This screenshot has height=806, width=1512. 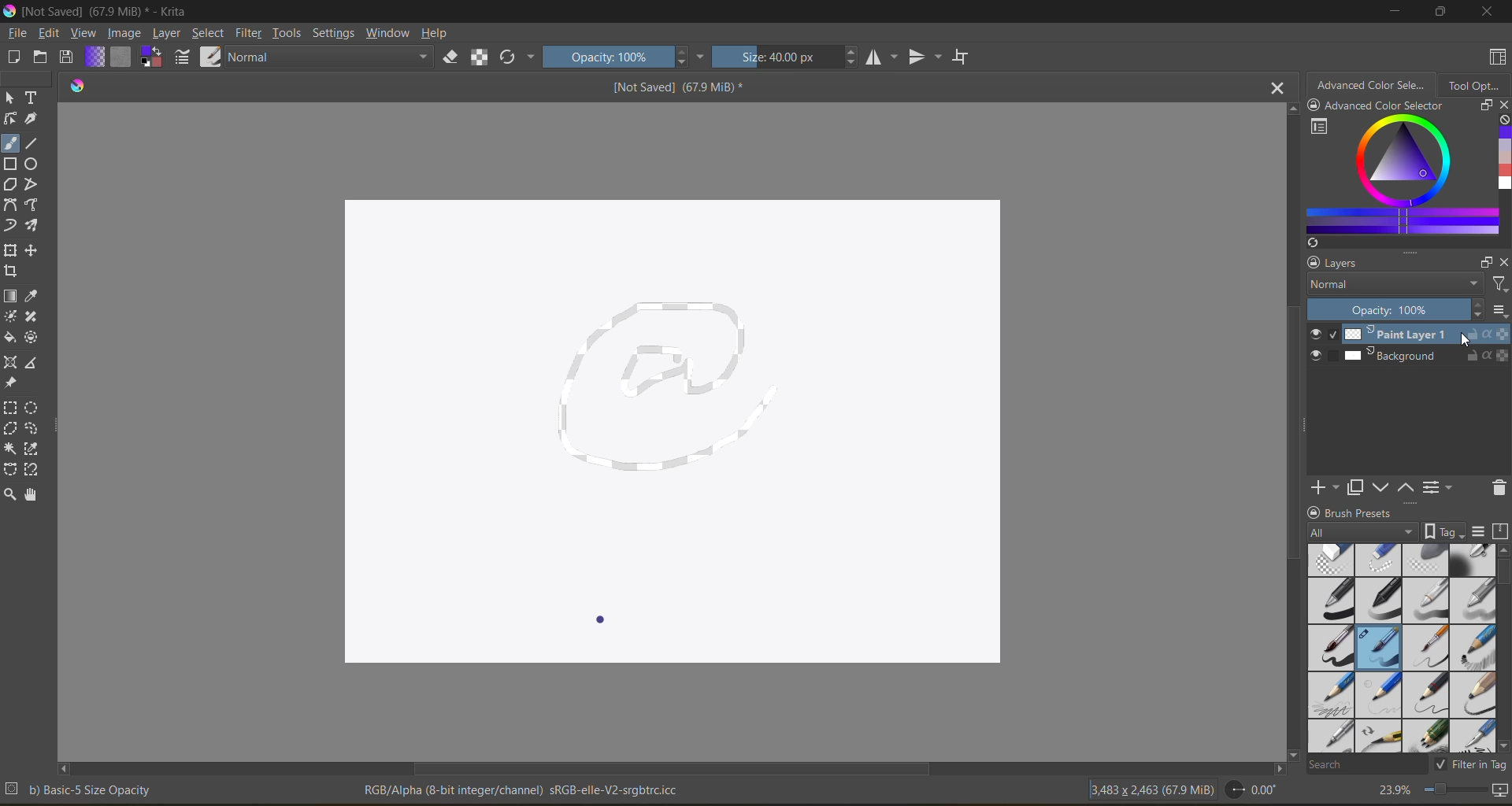 What do you see at coordinates (1483, 105) in the screenshot?
I see `resize` at bounding box center [1483, 105].